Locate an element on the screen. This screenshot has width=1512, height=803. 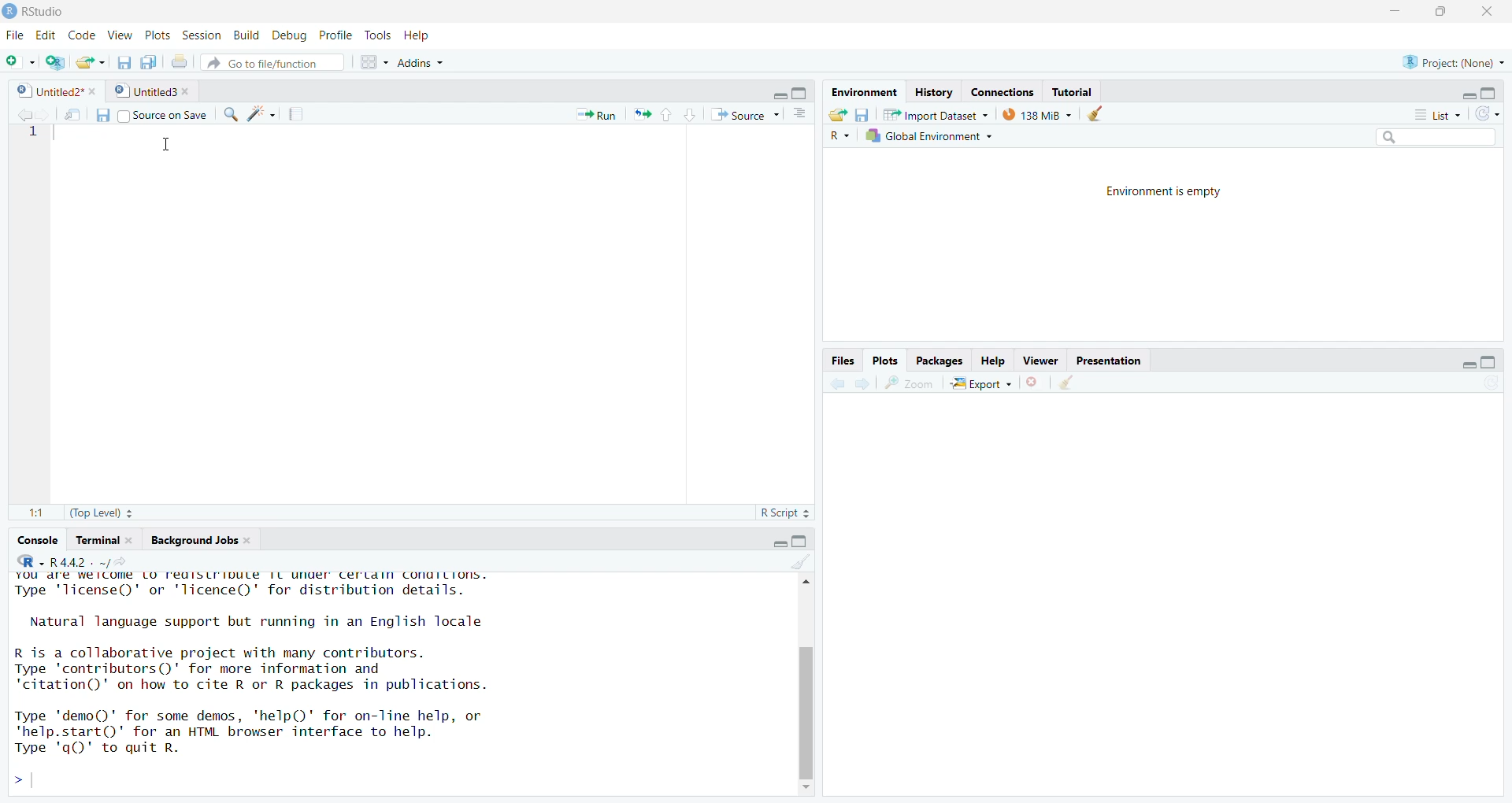
remove all viewers is located at coordinates (1034, 383).